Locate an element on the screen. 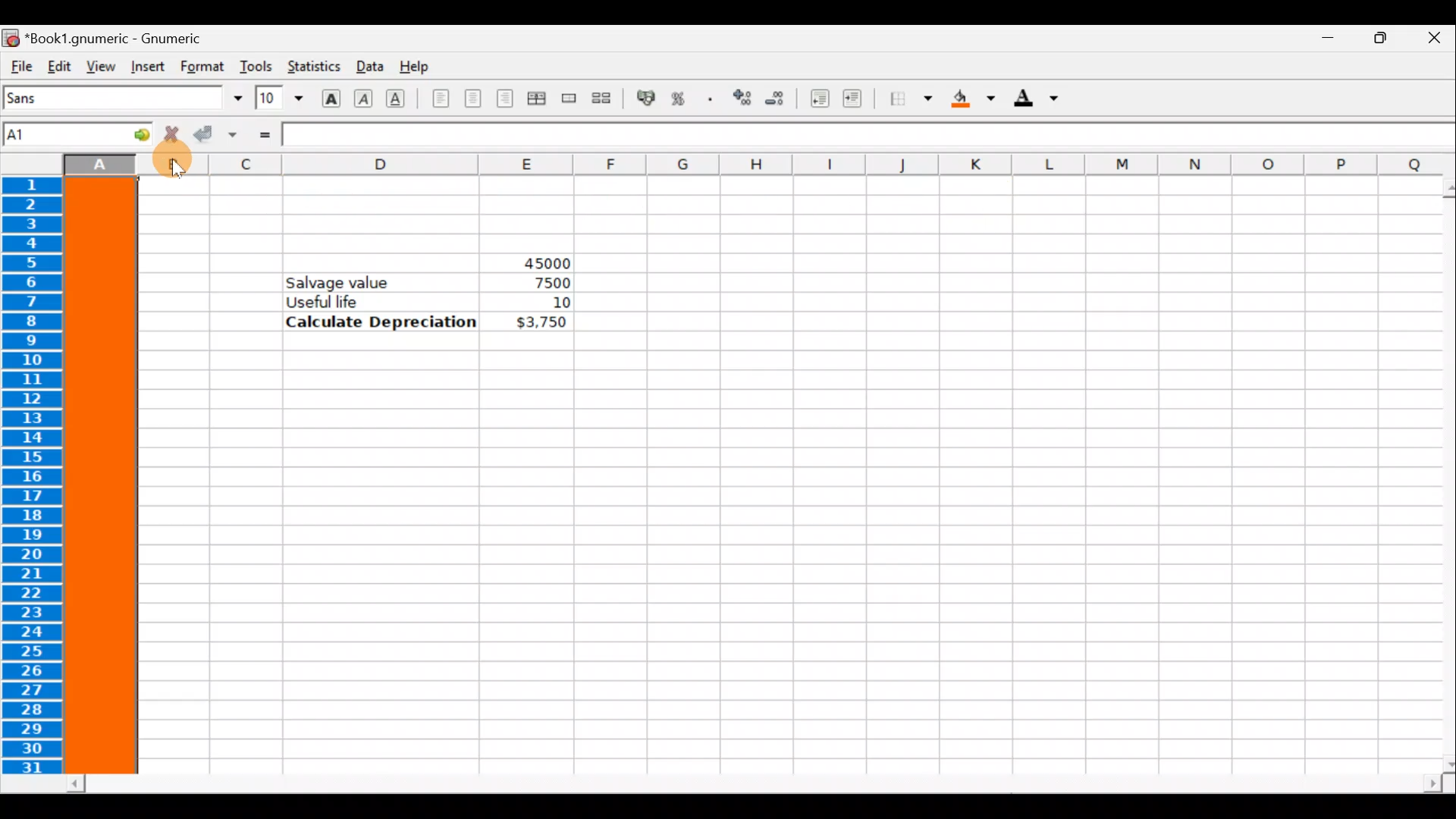 This screenshot has height=819, width=1456. Borders is located at coordinates (911, 99).